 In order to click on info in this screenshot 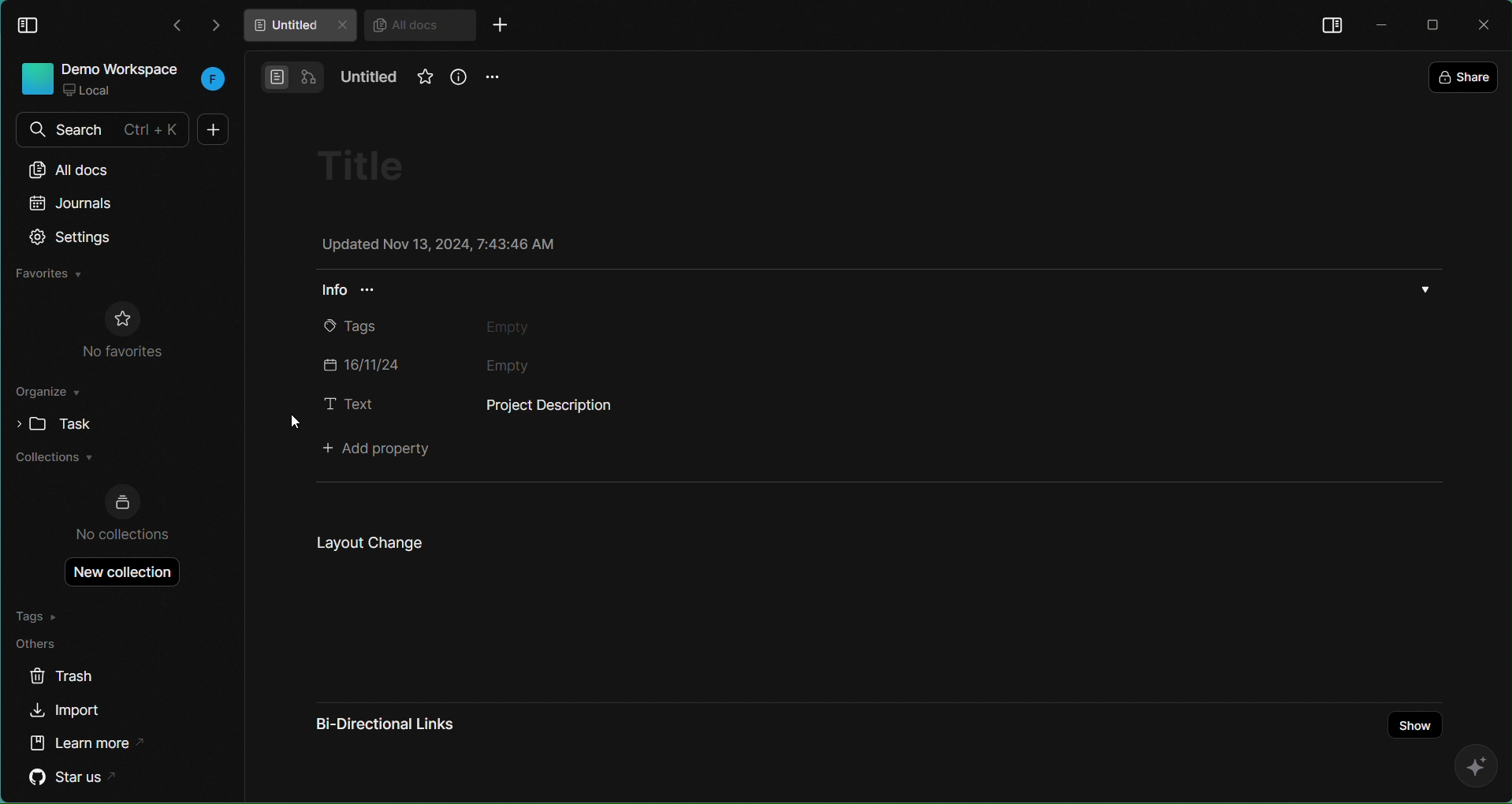, I will do `click(457, 77)`.